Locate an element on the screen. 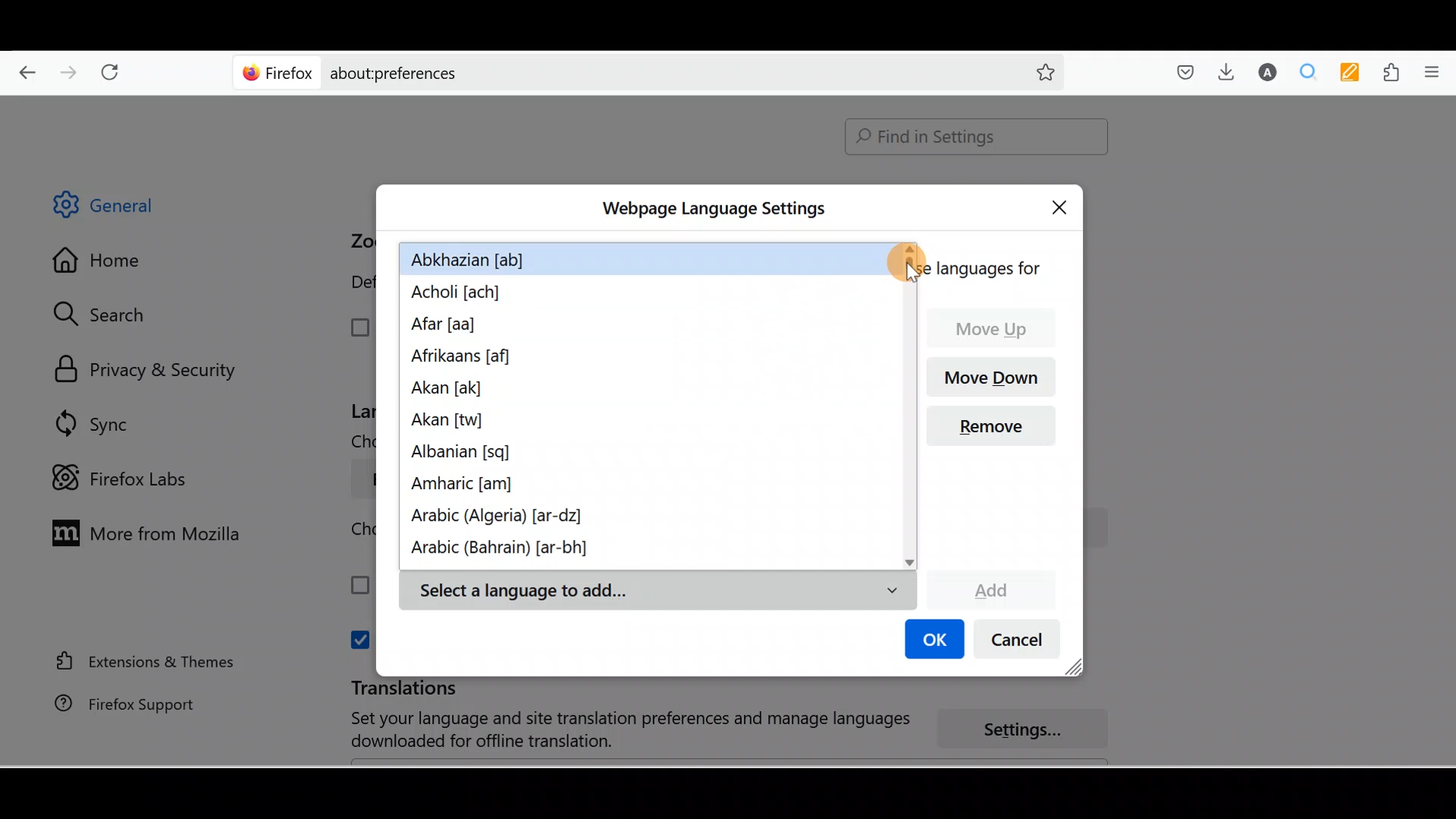 The width and height of the screenshot is (1456, 819). OK is located at coordinates (932, 641).